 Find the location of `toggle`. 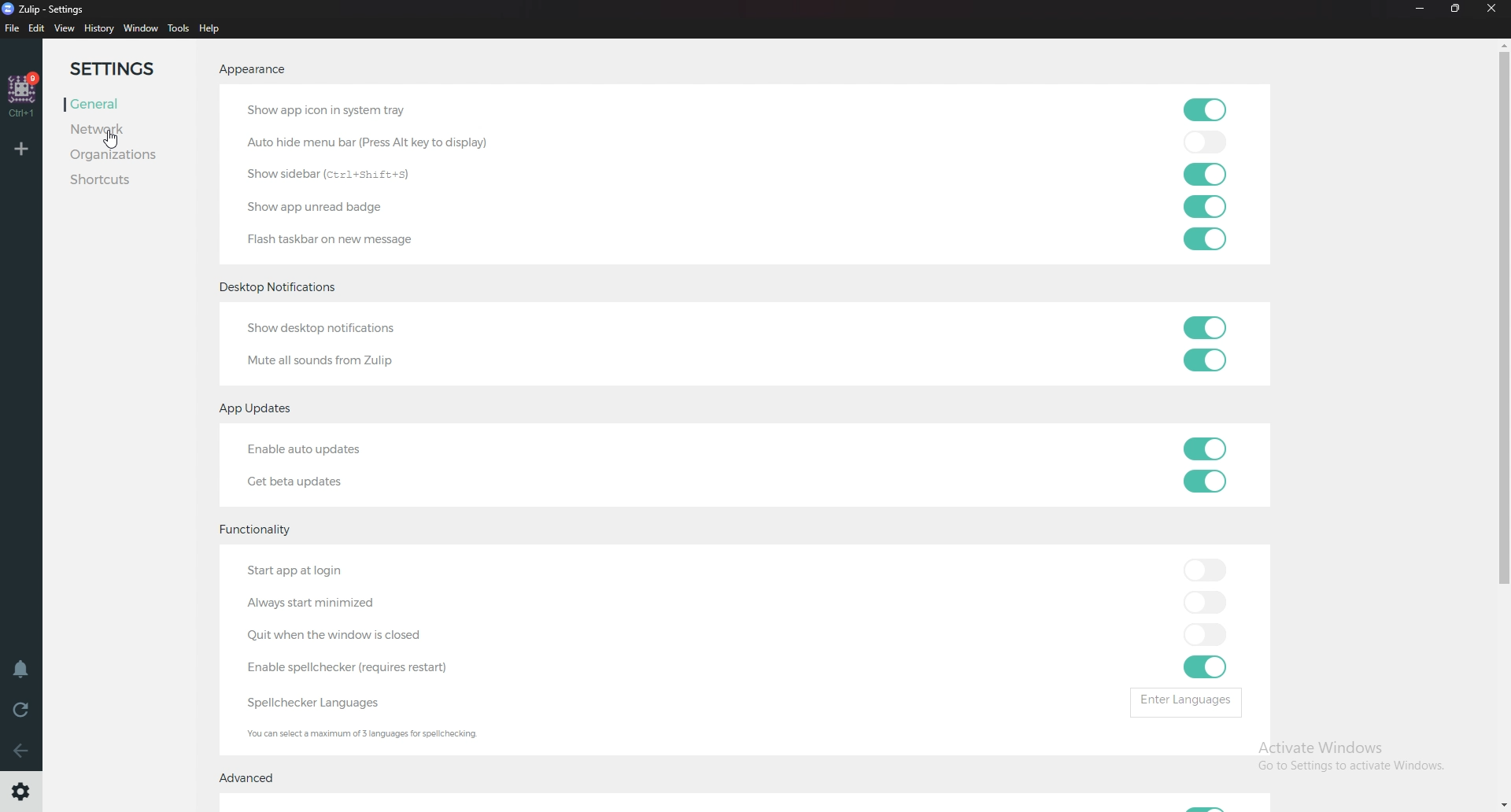

toggle is located at coordinates (1203, 667).